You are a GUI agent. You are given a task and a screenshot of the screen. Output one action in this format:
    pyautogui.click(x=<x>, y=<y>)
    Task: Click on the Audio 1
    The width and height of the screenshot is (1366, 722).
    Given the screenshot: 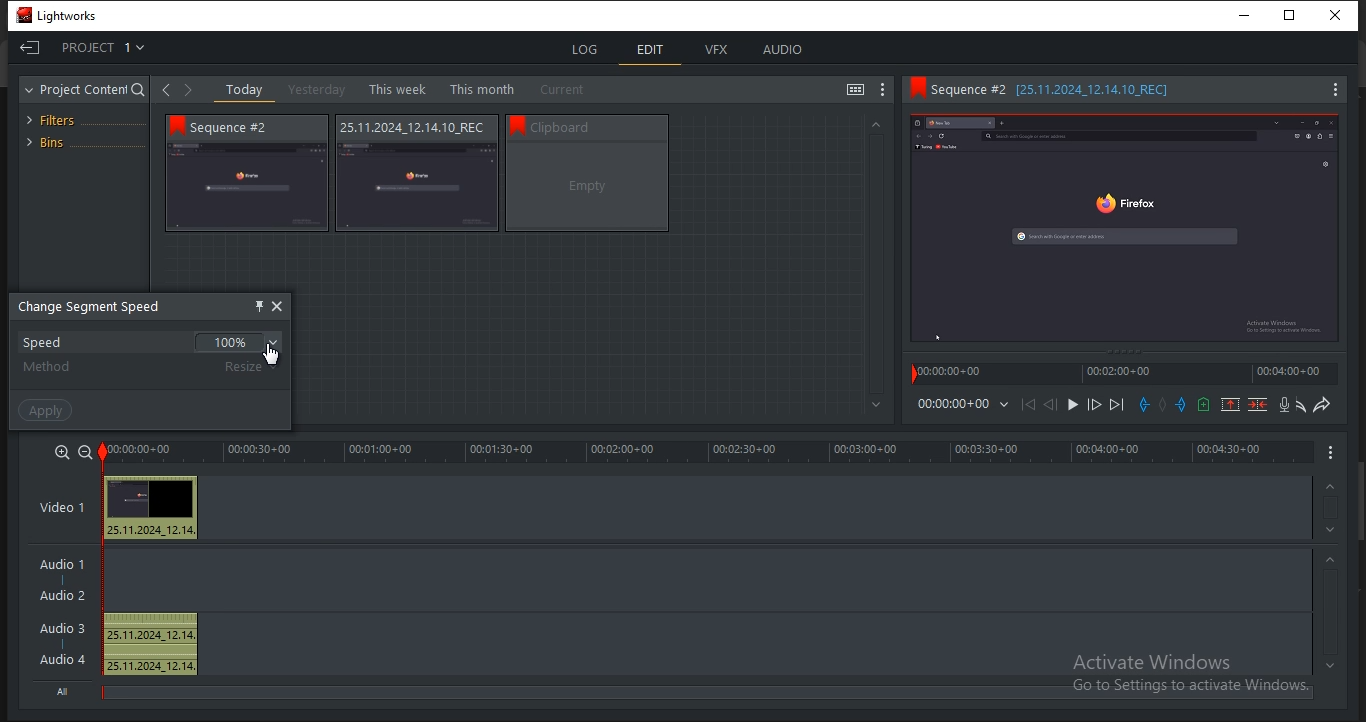 What is the action you would take?
    pyautogui.click(x=66, y=568)
    